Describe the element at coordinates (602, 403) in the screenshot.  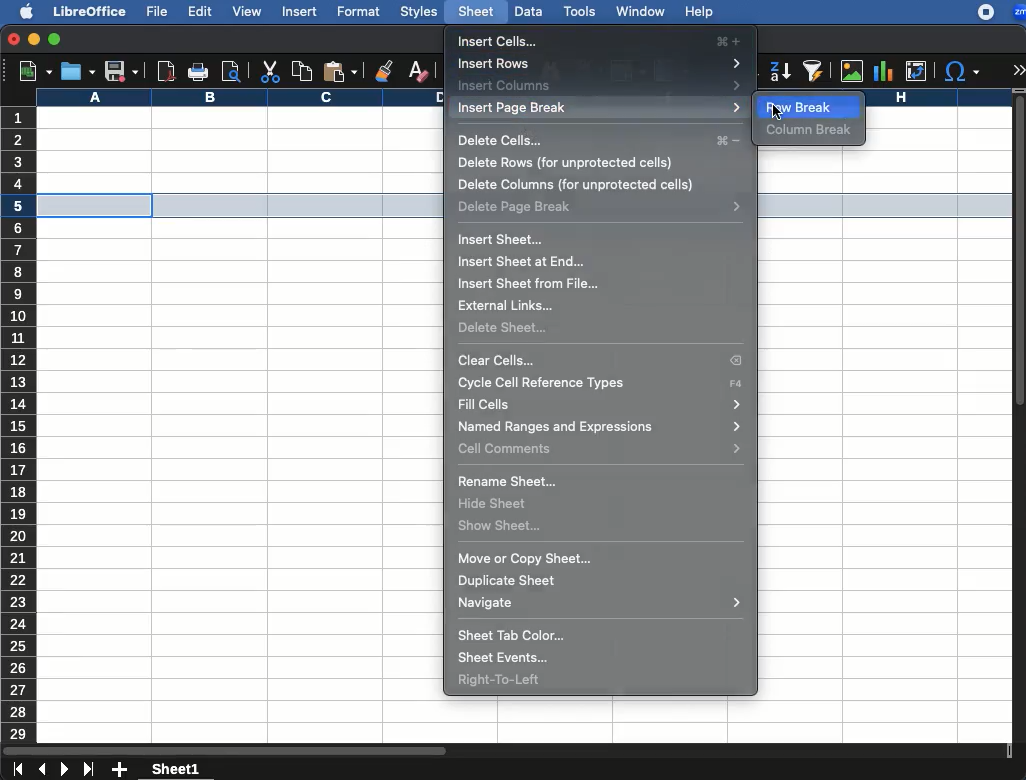
I see `fit cells` at that location.